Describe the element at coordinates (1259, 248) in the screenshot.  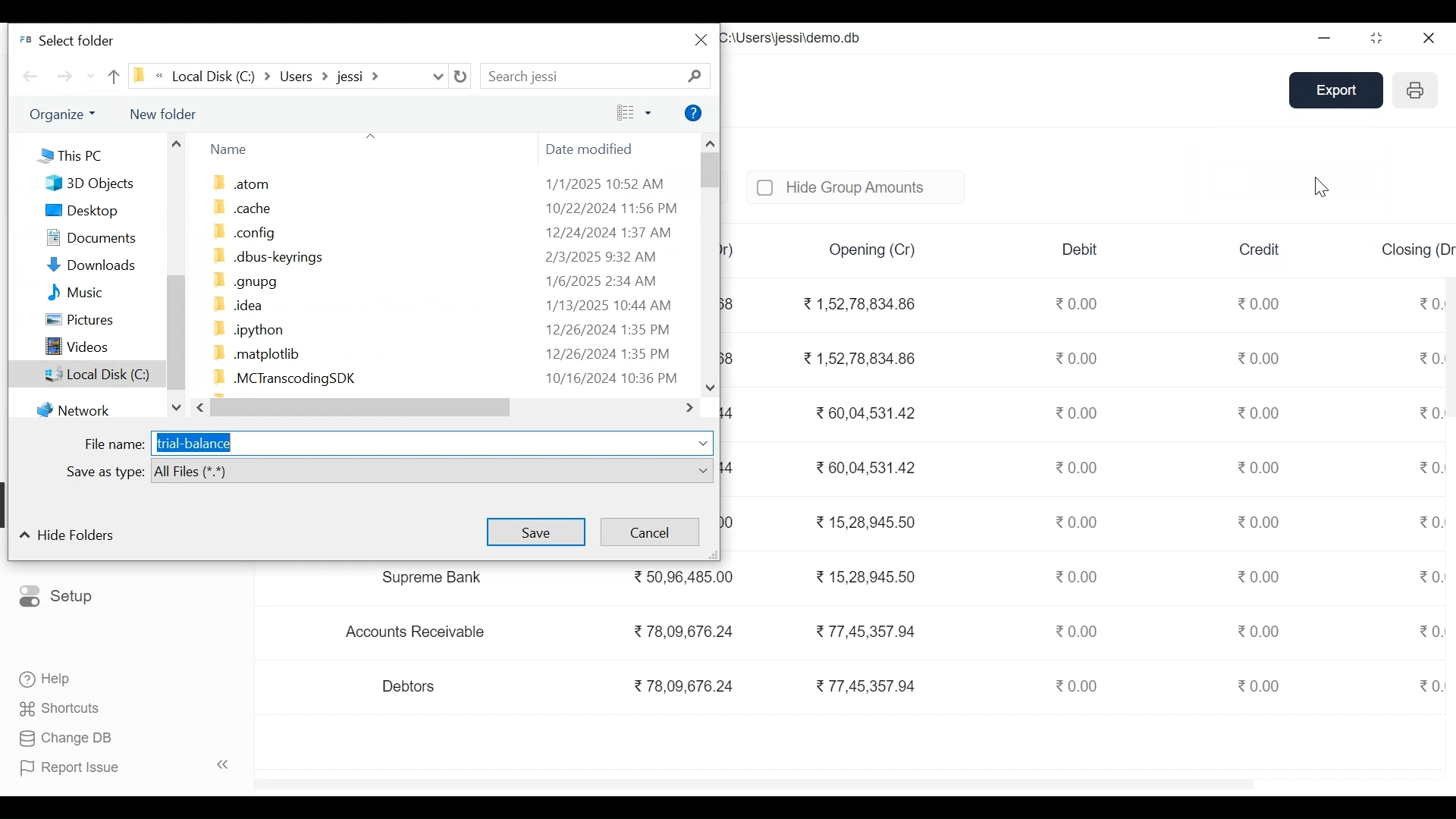
I see `Credit` at that location.